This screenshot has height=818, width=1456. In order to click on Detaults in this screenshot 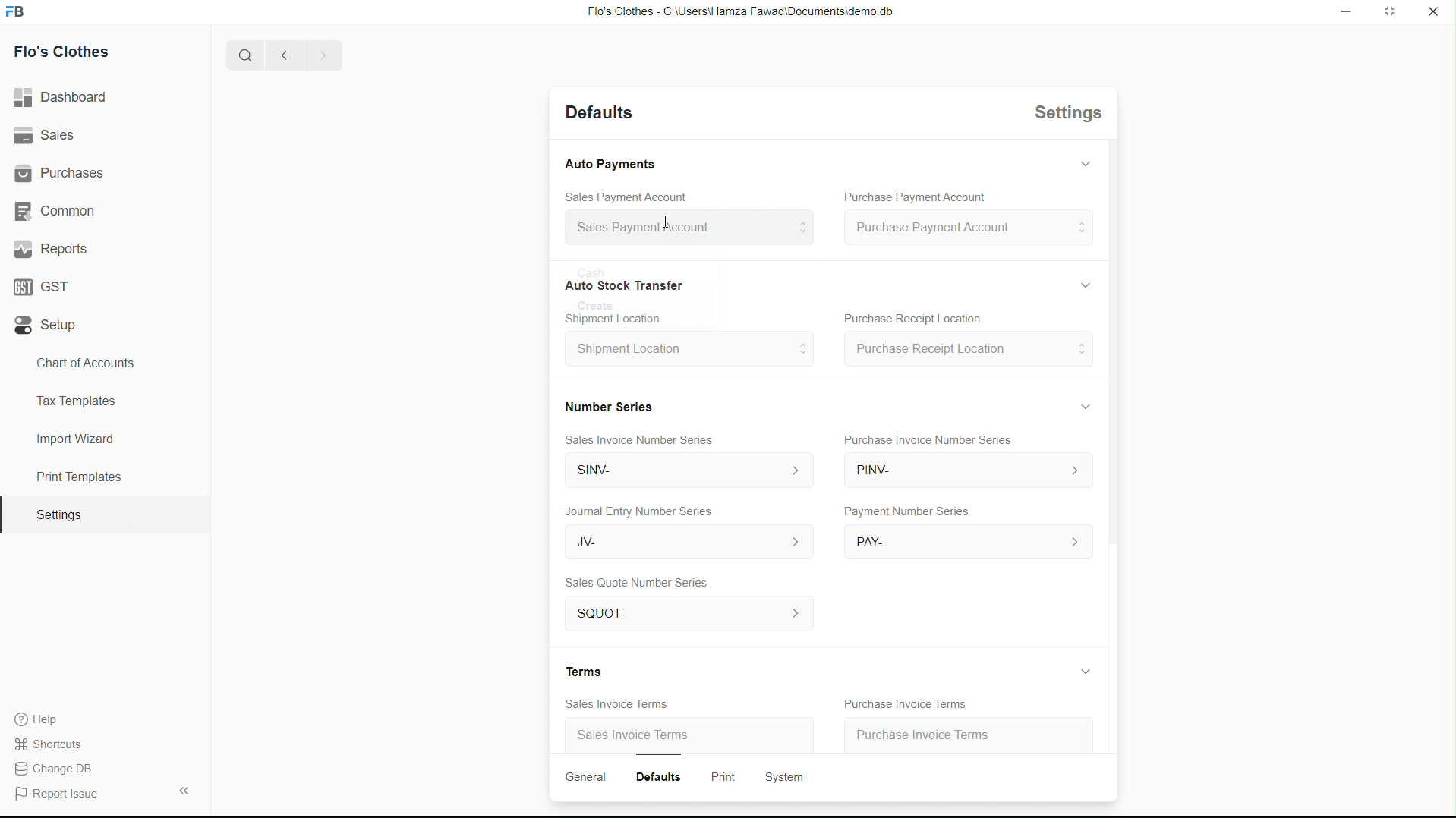, I will do `click(600, 112)`.